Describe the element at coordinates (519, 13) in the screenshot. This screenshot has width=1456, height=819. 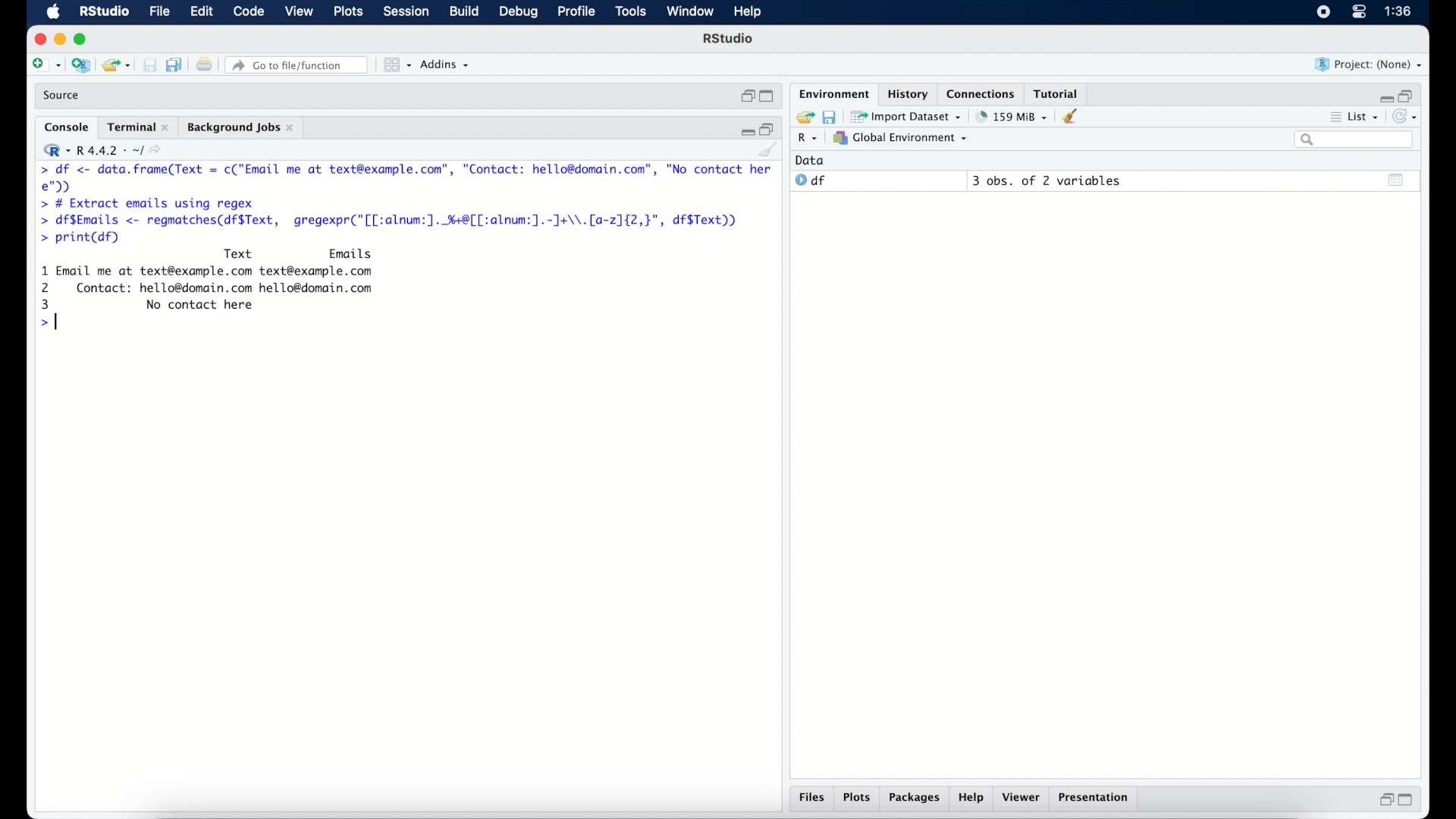
I see `debug` at that location.